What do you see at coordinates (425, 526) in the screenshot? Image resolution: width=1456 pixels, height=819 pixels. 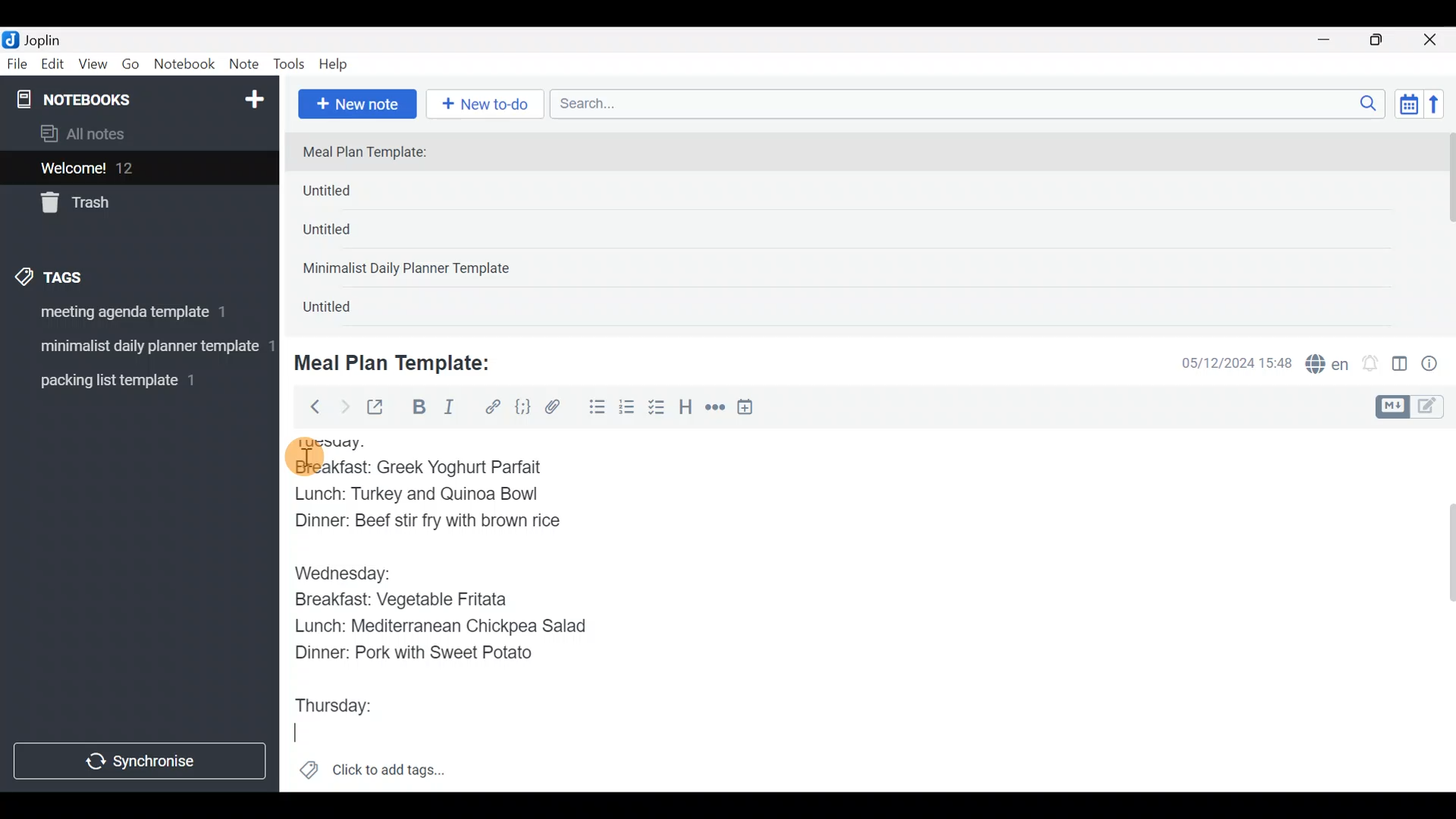 I see `Dinner: Beef stir fry with brown rice` at bounding box center [425, 526].